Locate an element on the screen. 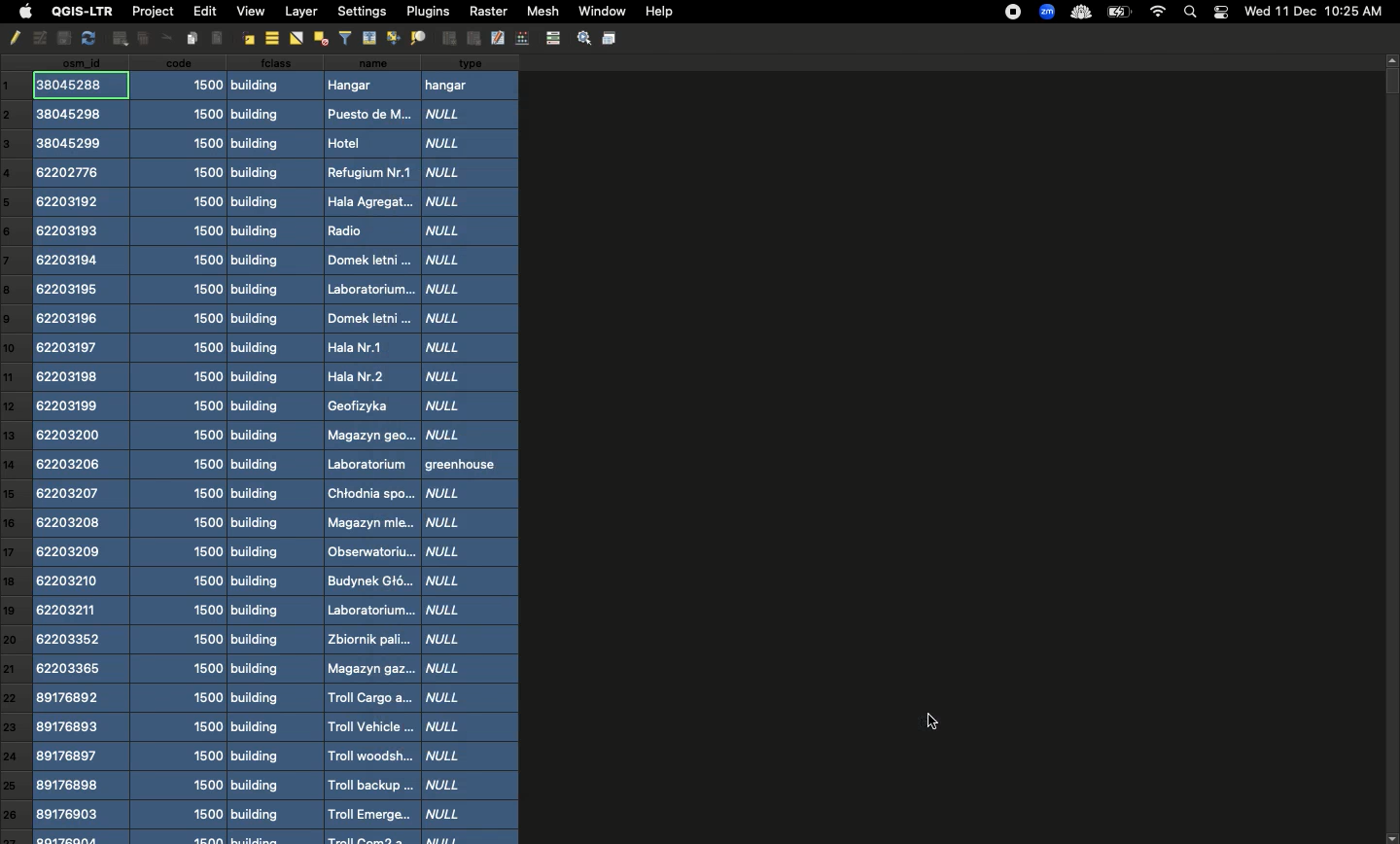  zoom is located at coordinates (1044, 12).